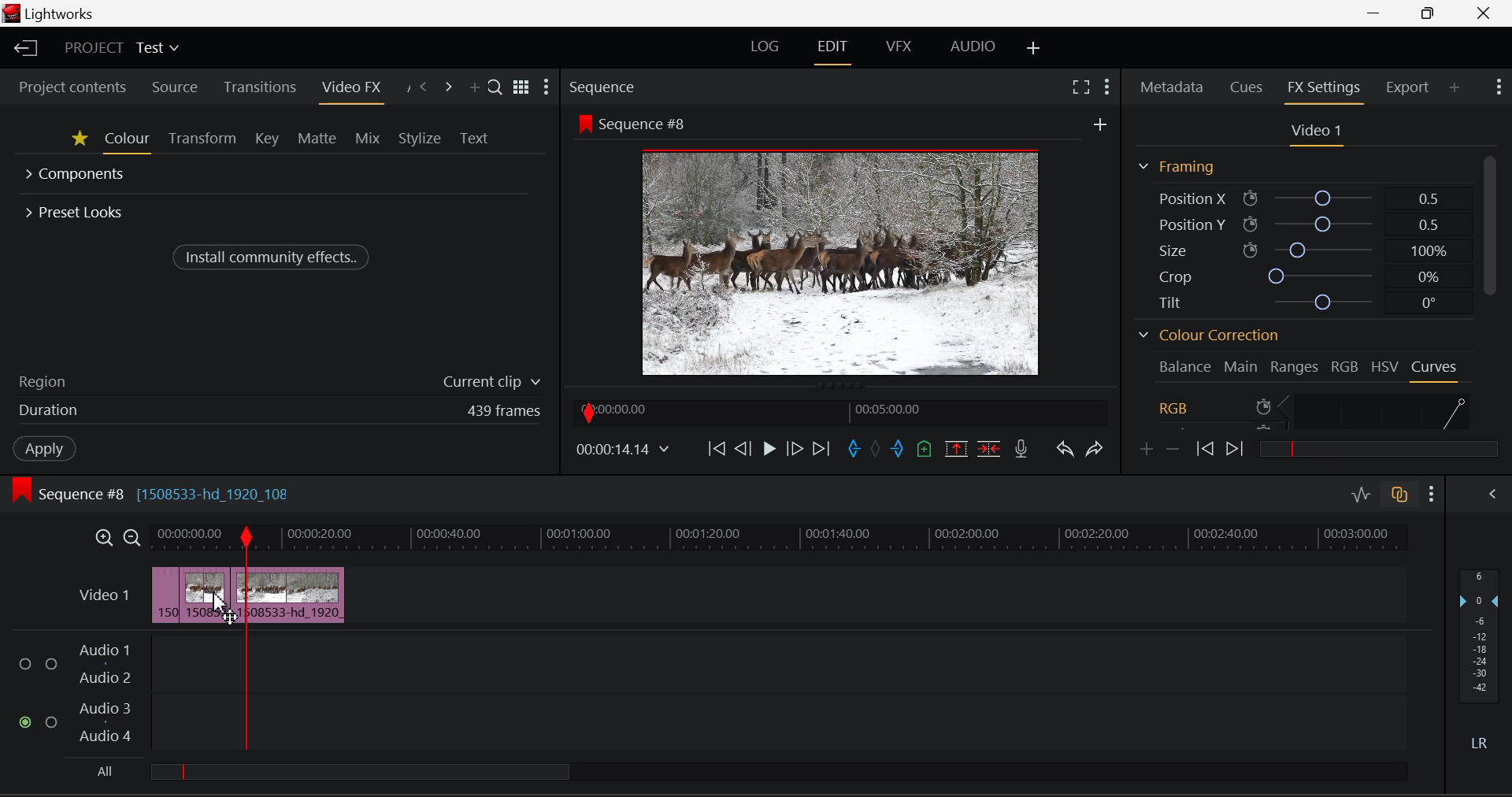 Image resolution: width=1512 pixels, height=797 pixels. What do you see at coordinates (854, 448) in the screenshot?
I see `Mark In` at bounding box center [854, 448].